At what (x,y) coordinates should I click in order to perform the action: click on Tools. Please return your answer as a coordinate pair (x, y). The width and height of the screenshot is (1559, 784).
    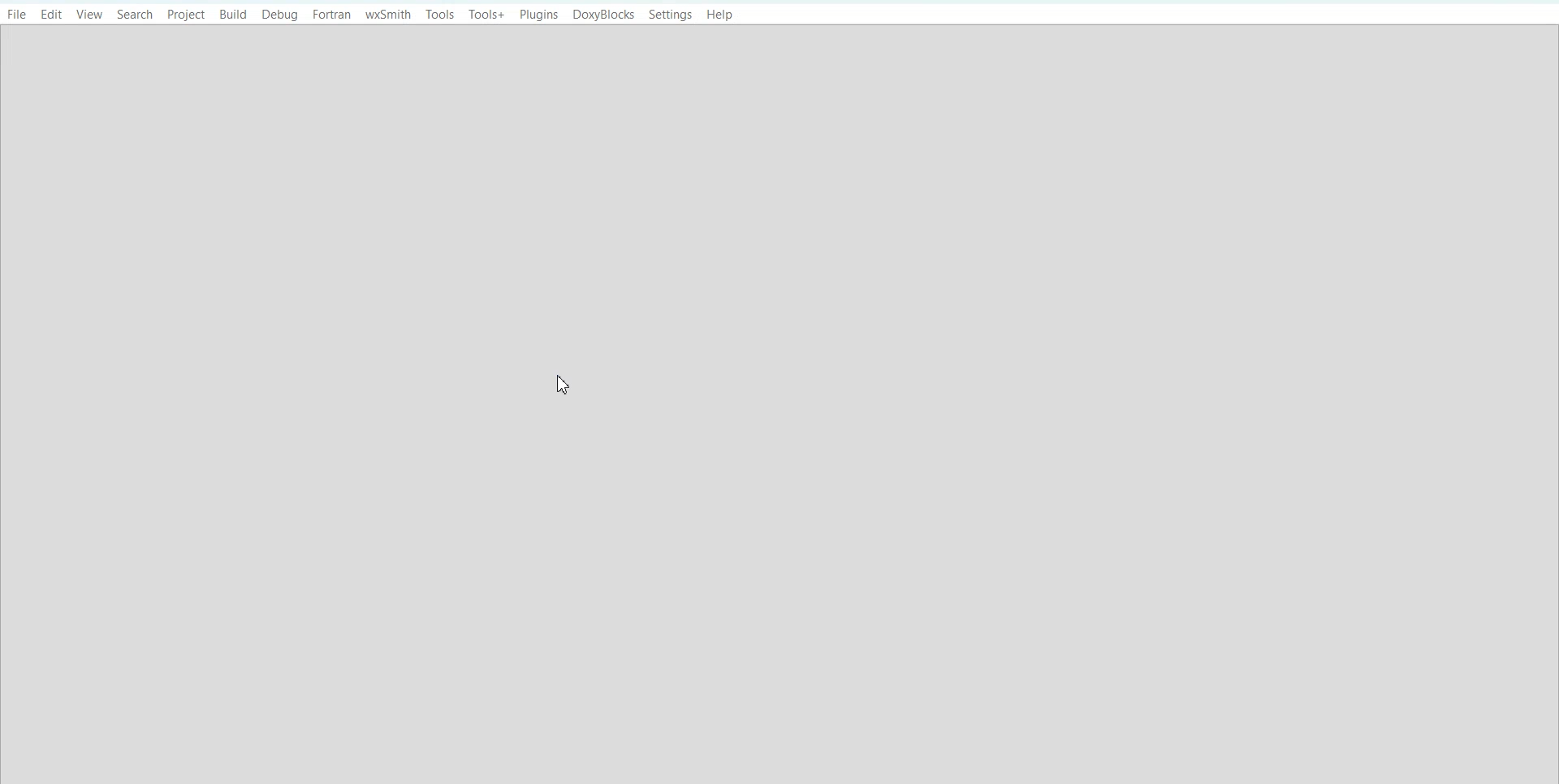
    Looking at the image, I should click on (440, 14).